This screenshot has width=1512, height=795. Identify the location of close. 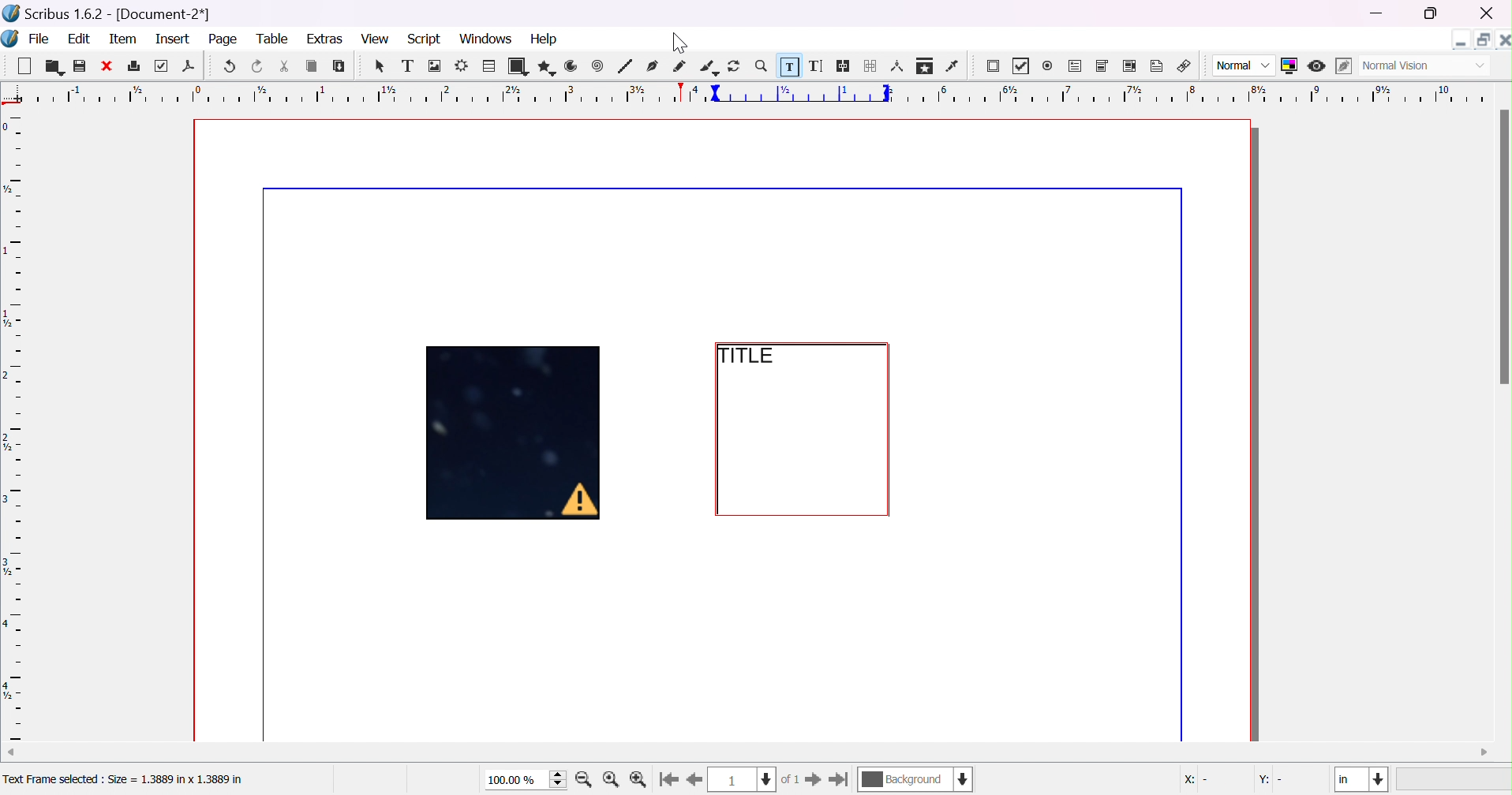
(1488, 13).